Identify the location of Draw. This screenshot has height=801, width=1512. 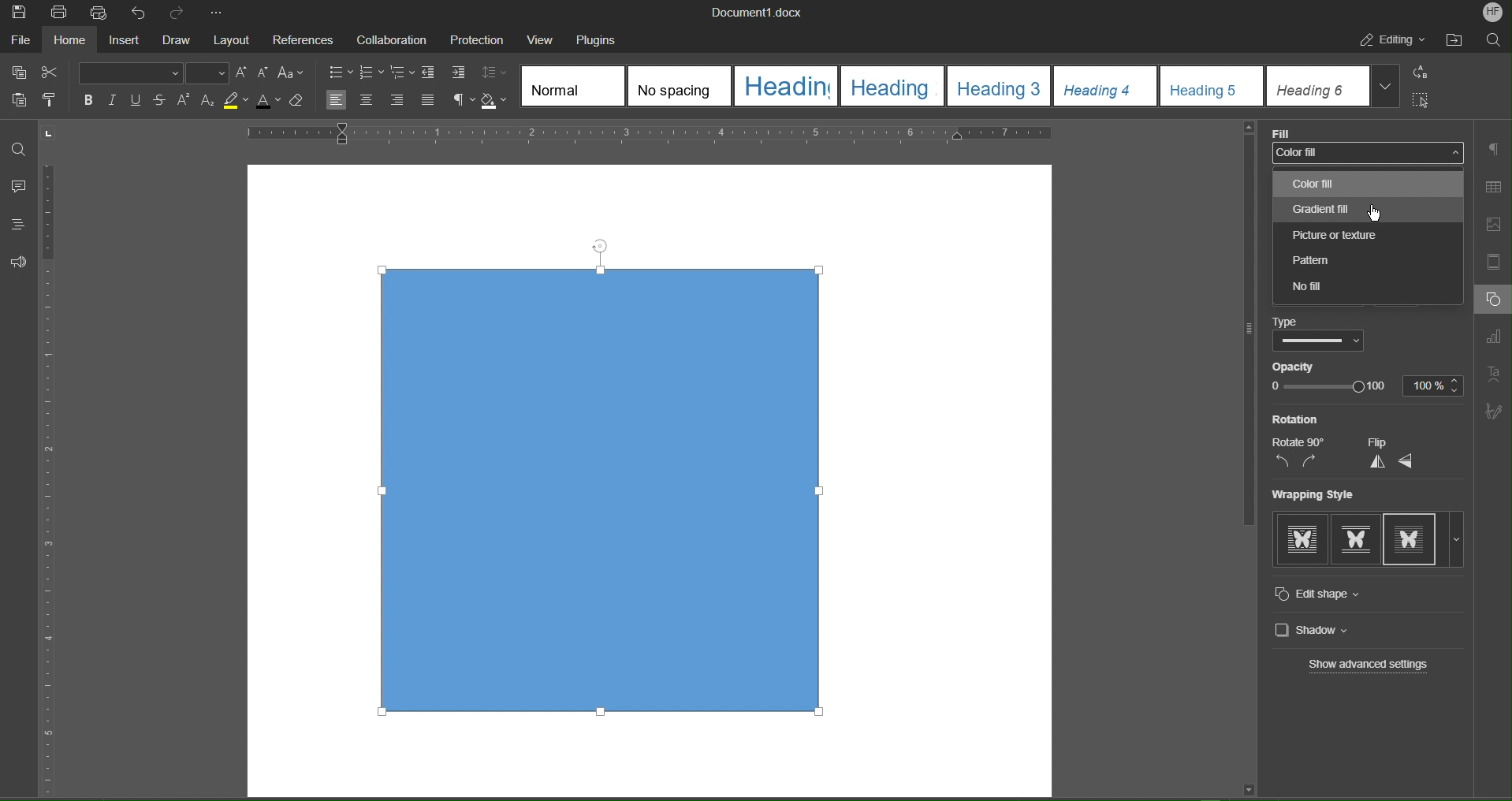
(178, 39).